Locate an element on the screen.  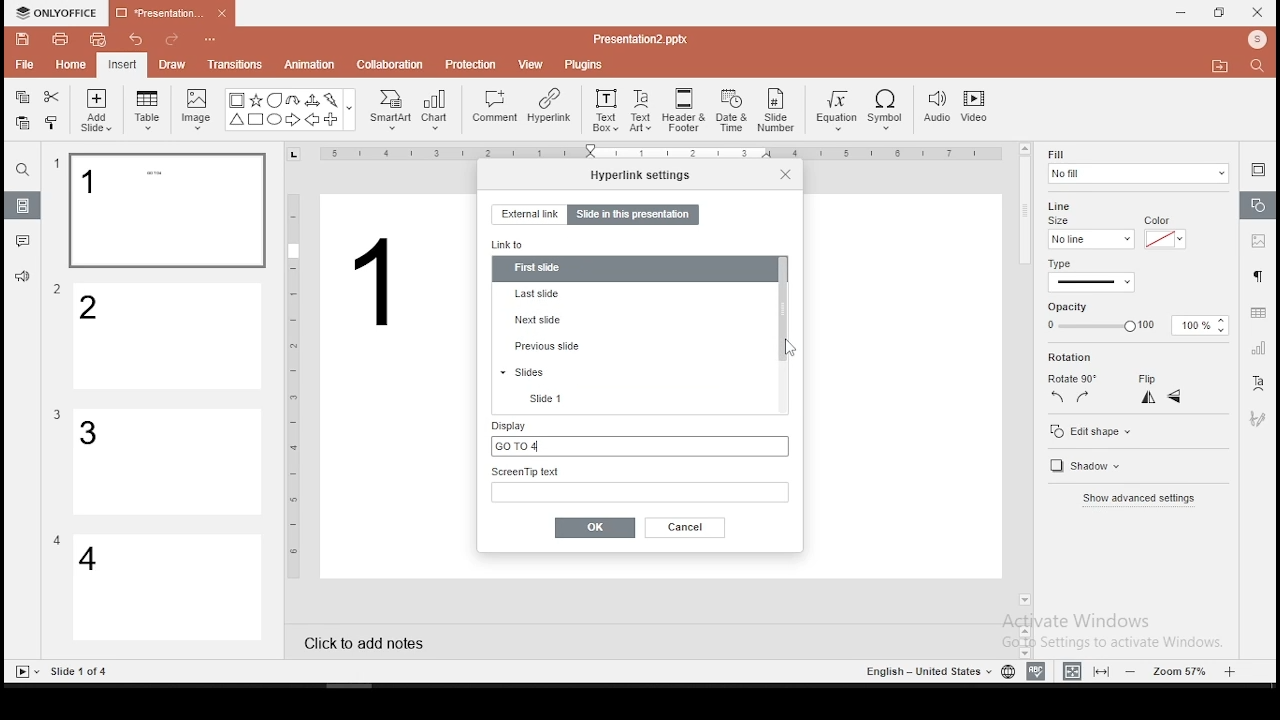
Trianlge is located at coordinates (235, 120).